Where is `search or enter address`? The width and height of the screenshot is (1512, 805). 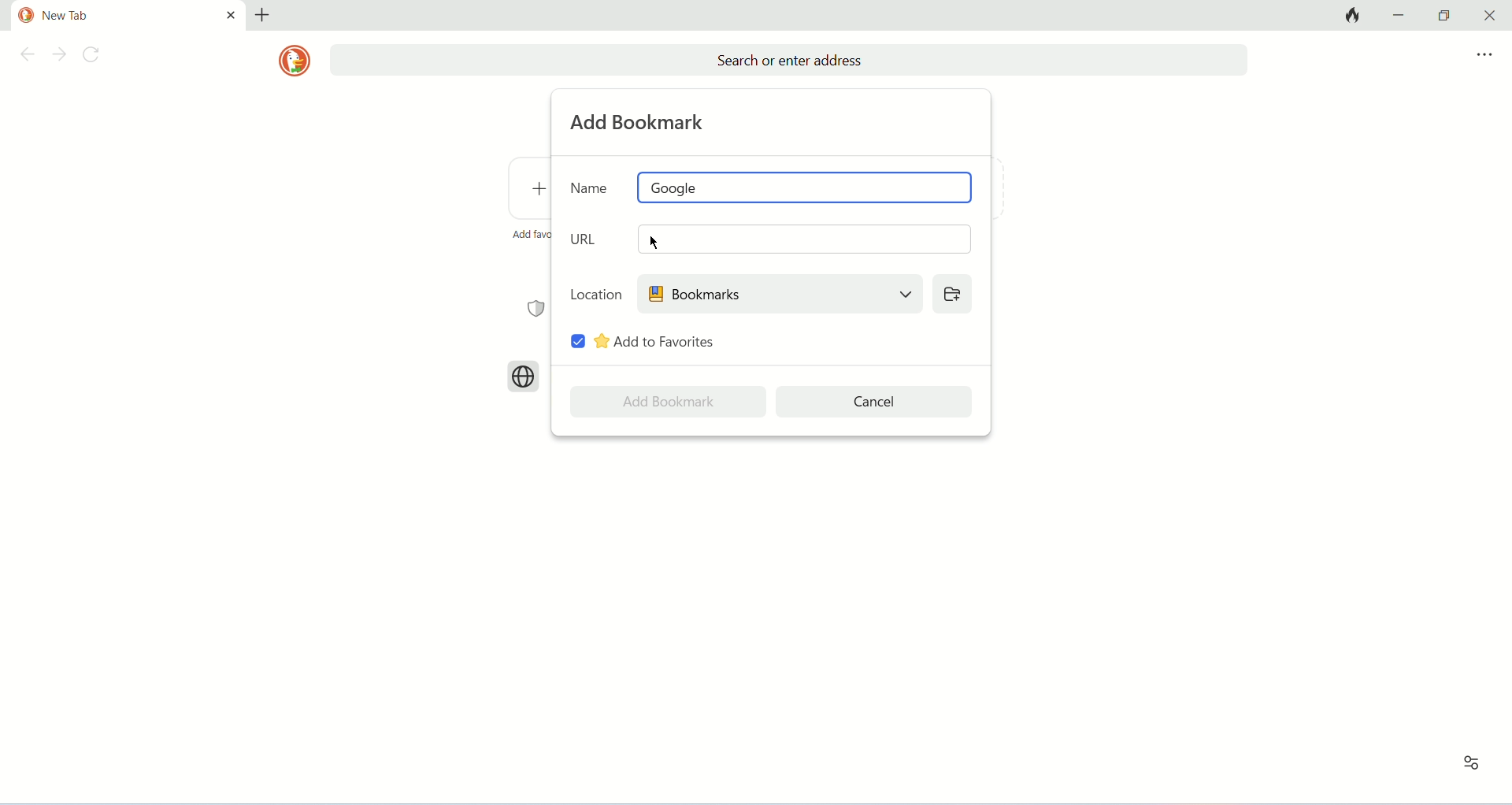 search or enter address is located at coordinates (788, 61).